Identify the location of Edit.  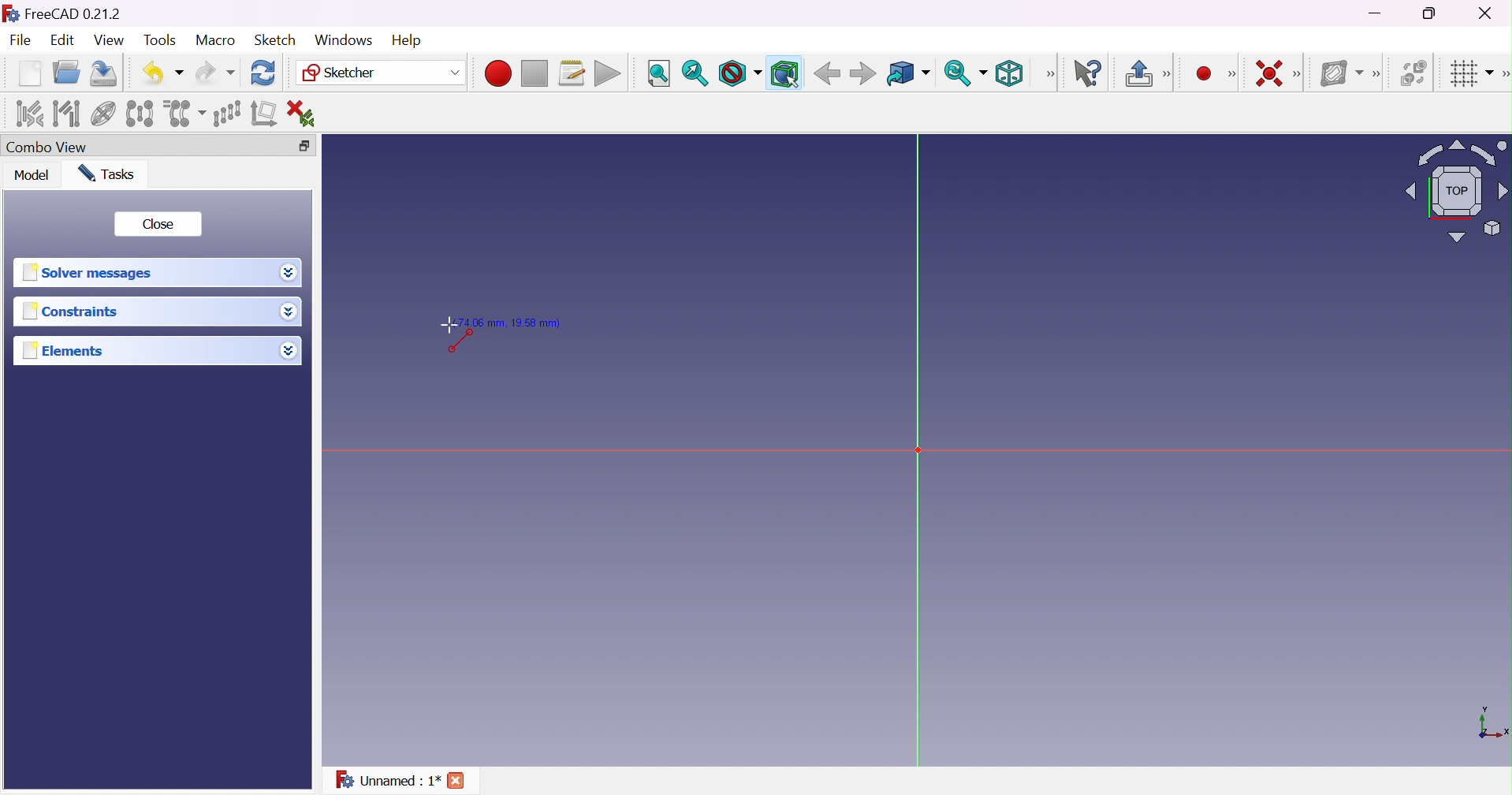
(61, 41).